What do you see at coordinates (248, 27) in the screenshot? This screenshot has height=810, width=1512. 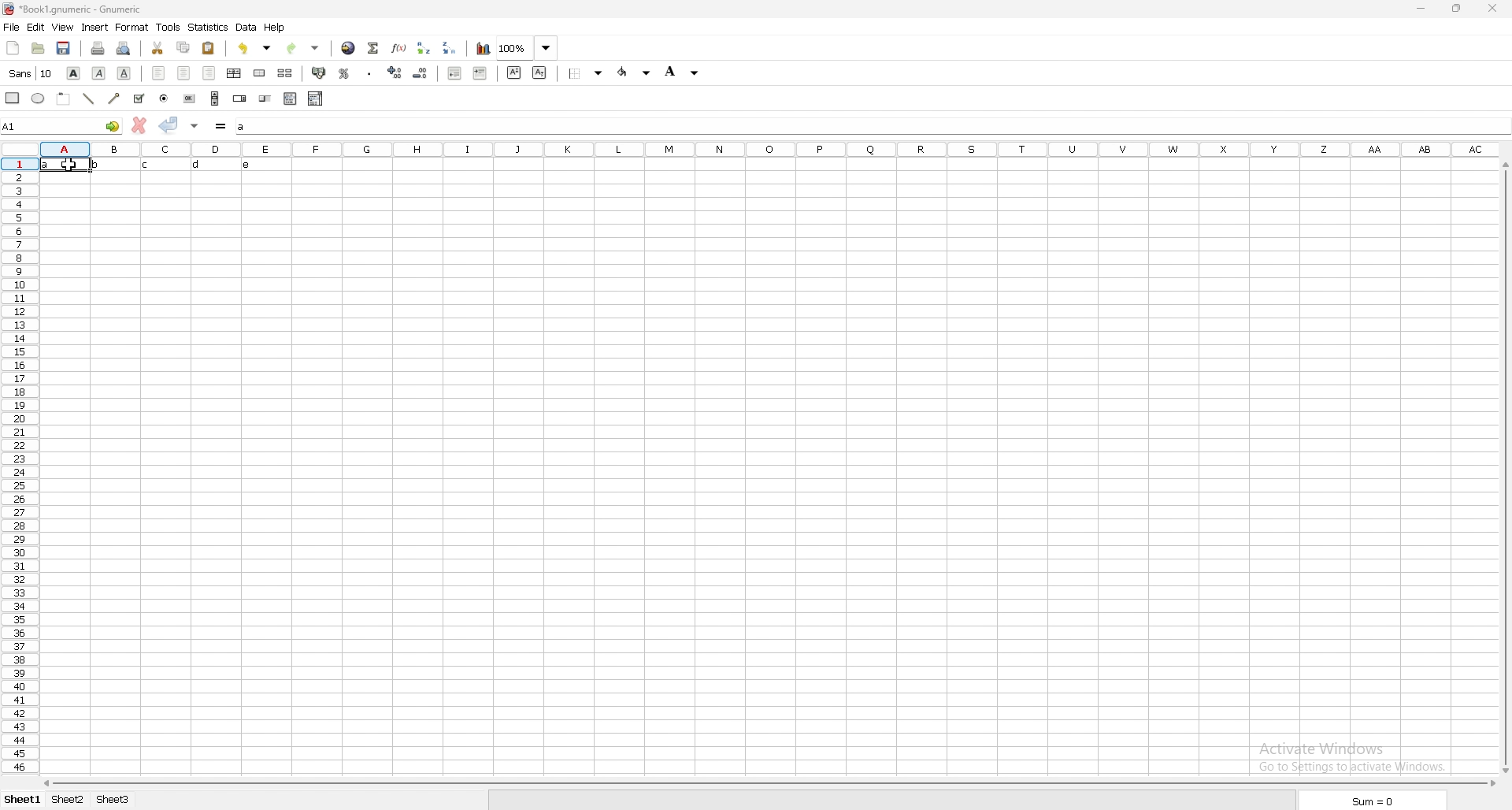 I see `data` at bounding box center [248, 27].